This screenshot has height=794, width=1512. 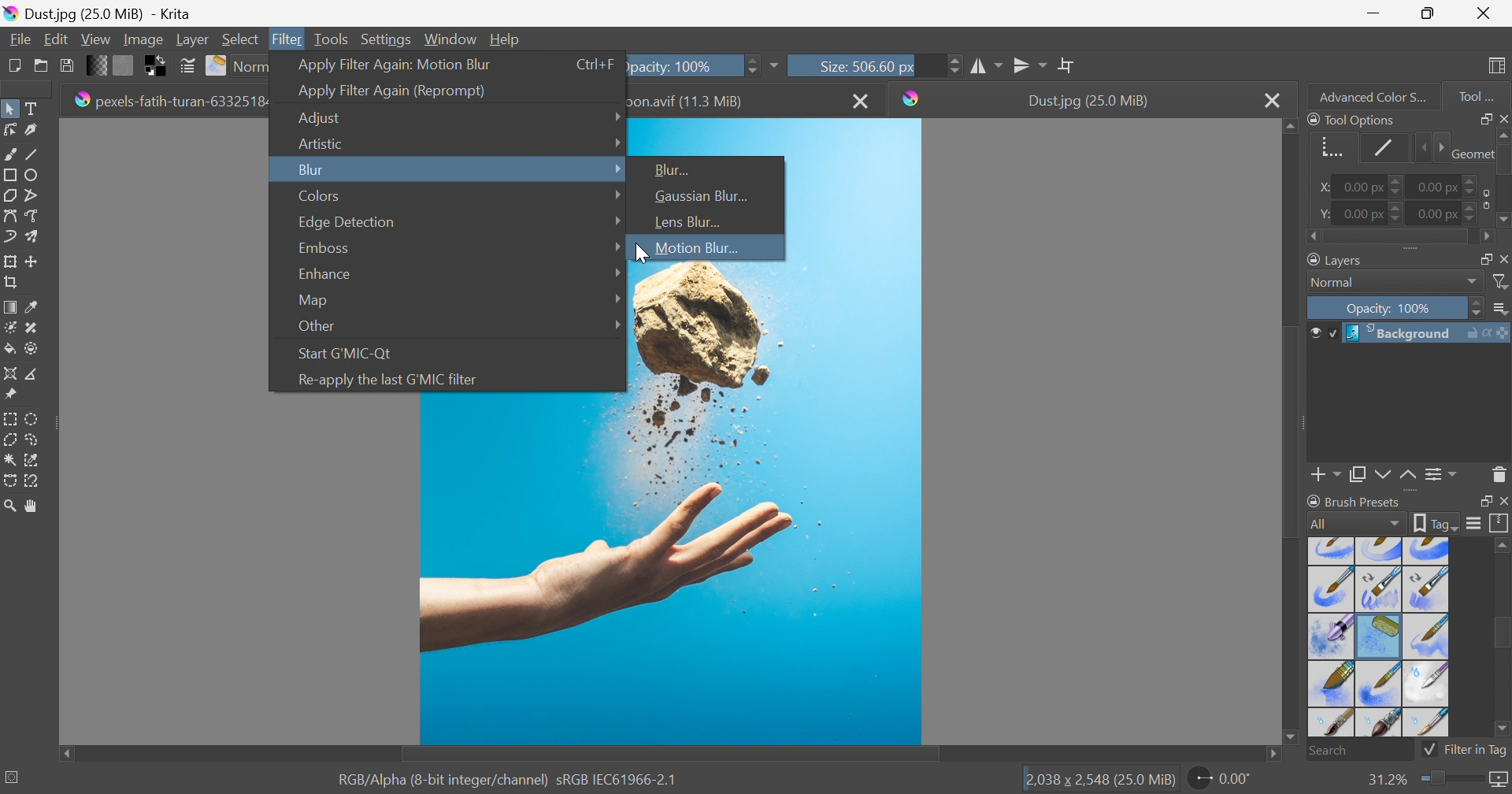 What do you see at coordinates (192, 38) in the screenshot?
I see `Layer` at bounding box center [192, 38].